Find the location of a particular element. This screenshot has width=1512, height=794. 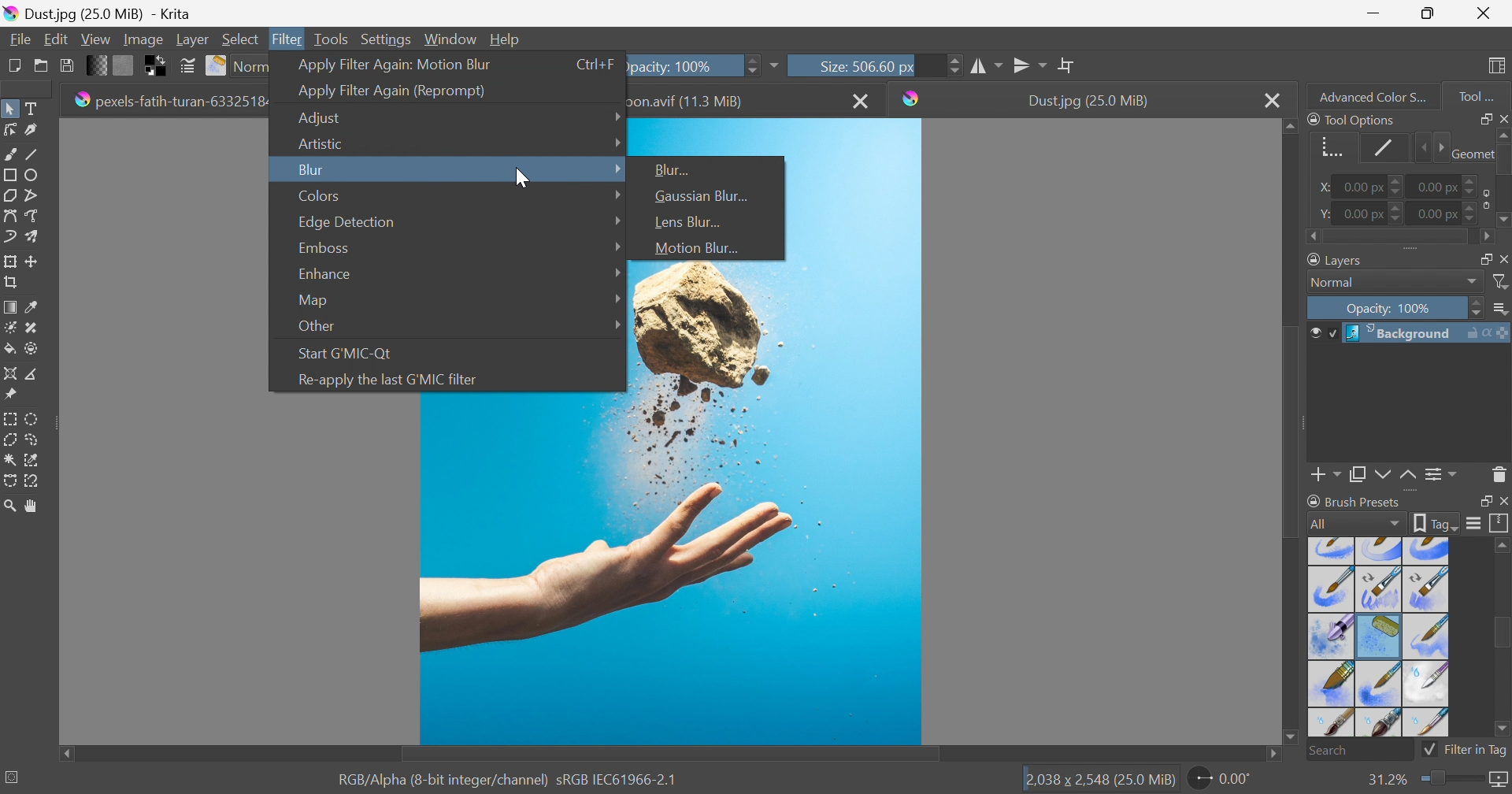

Ctrl+F is located at coordinates (596, 64).